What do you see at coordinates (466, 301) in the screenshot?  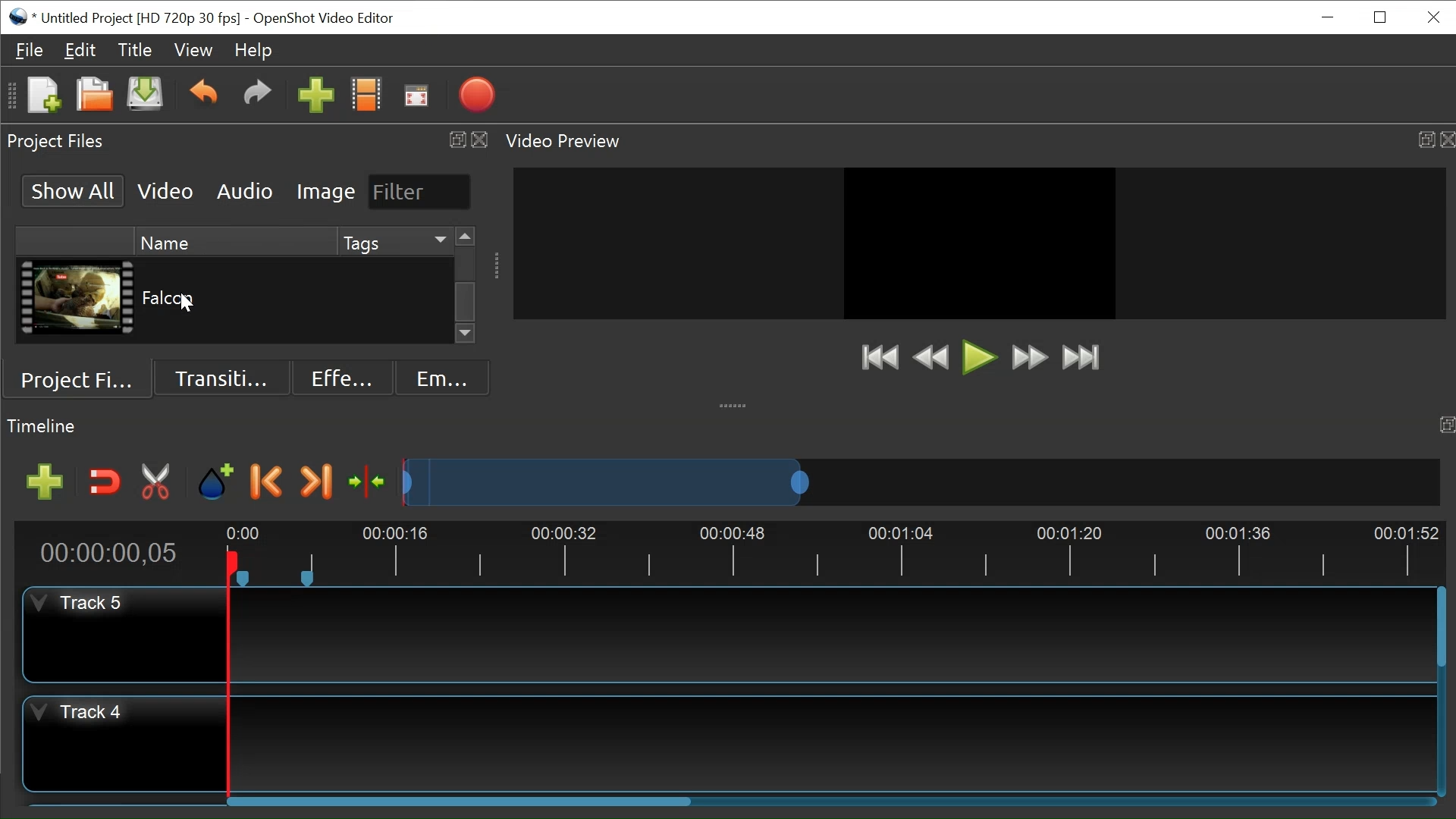 I see `Vertical Scroll bar` at bounding box center [466, 301].